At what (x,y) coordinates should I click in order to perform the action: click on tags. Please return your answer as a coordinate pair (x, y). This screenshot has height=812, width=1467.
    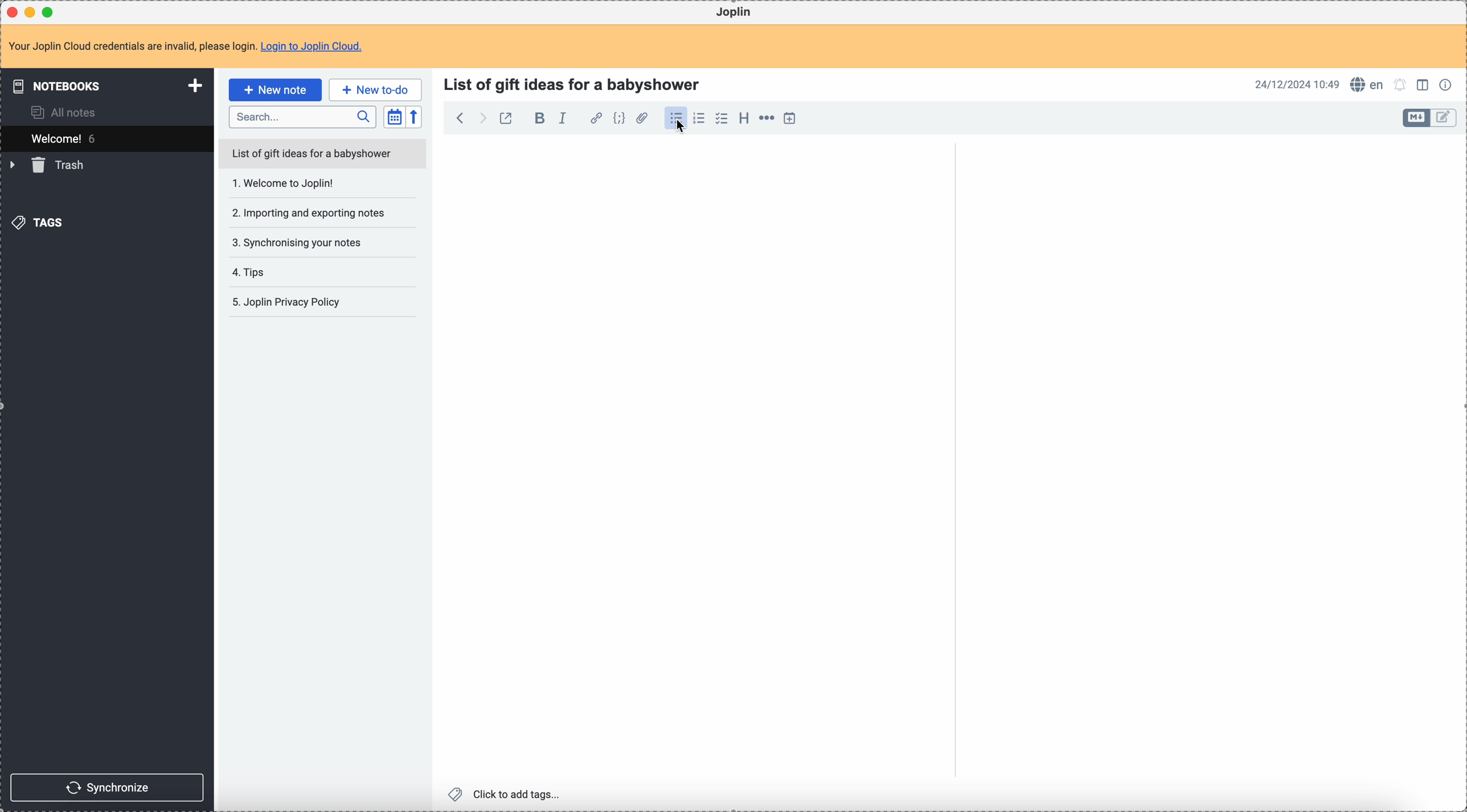
    Looking at the image, I should click on (37, 223).